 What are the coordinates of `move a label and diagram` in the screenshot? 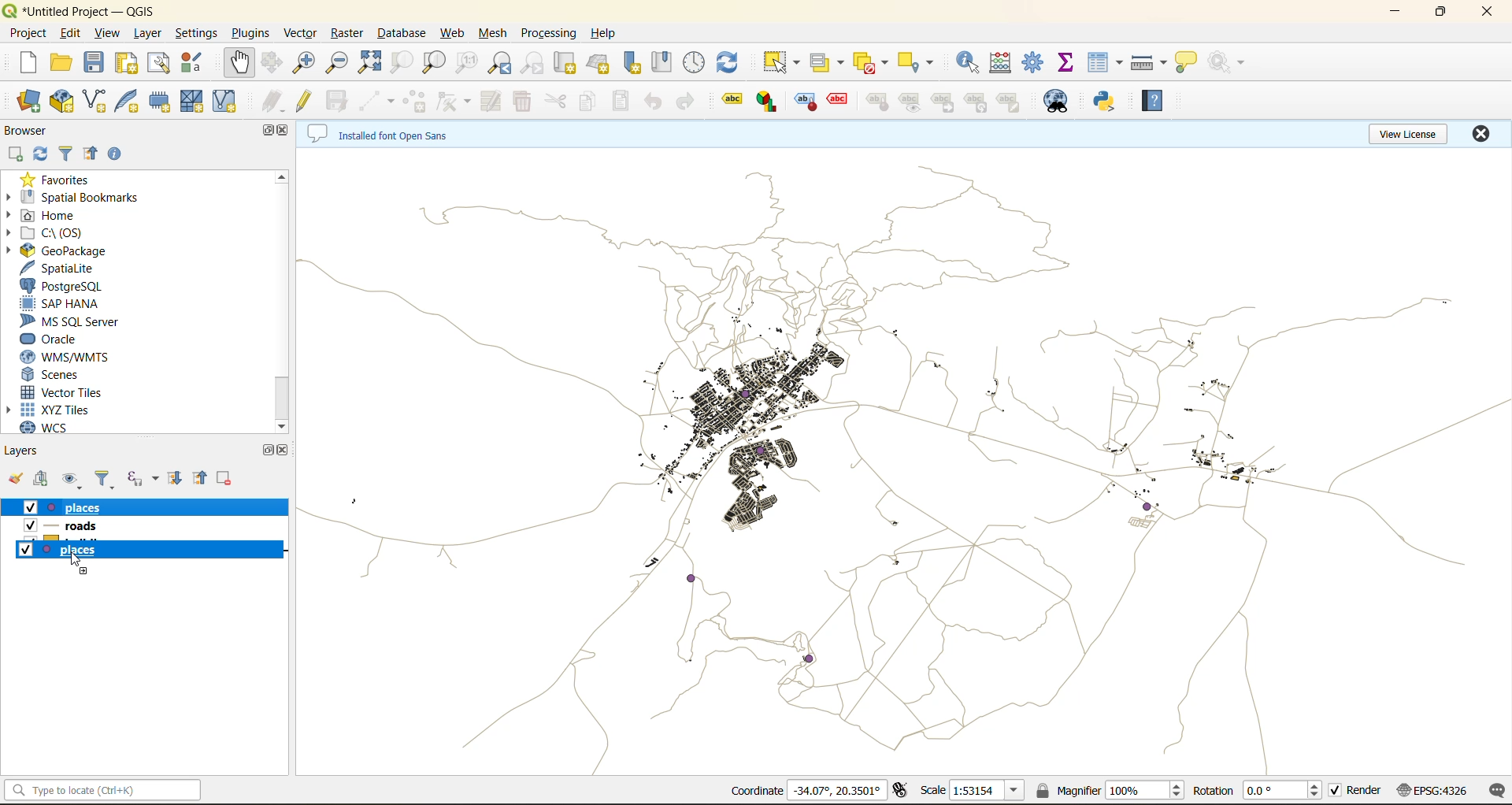 It's located at (947, 101).